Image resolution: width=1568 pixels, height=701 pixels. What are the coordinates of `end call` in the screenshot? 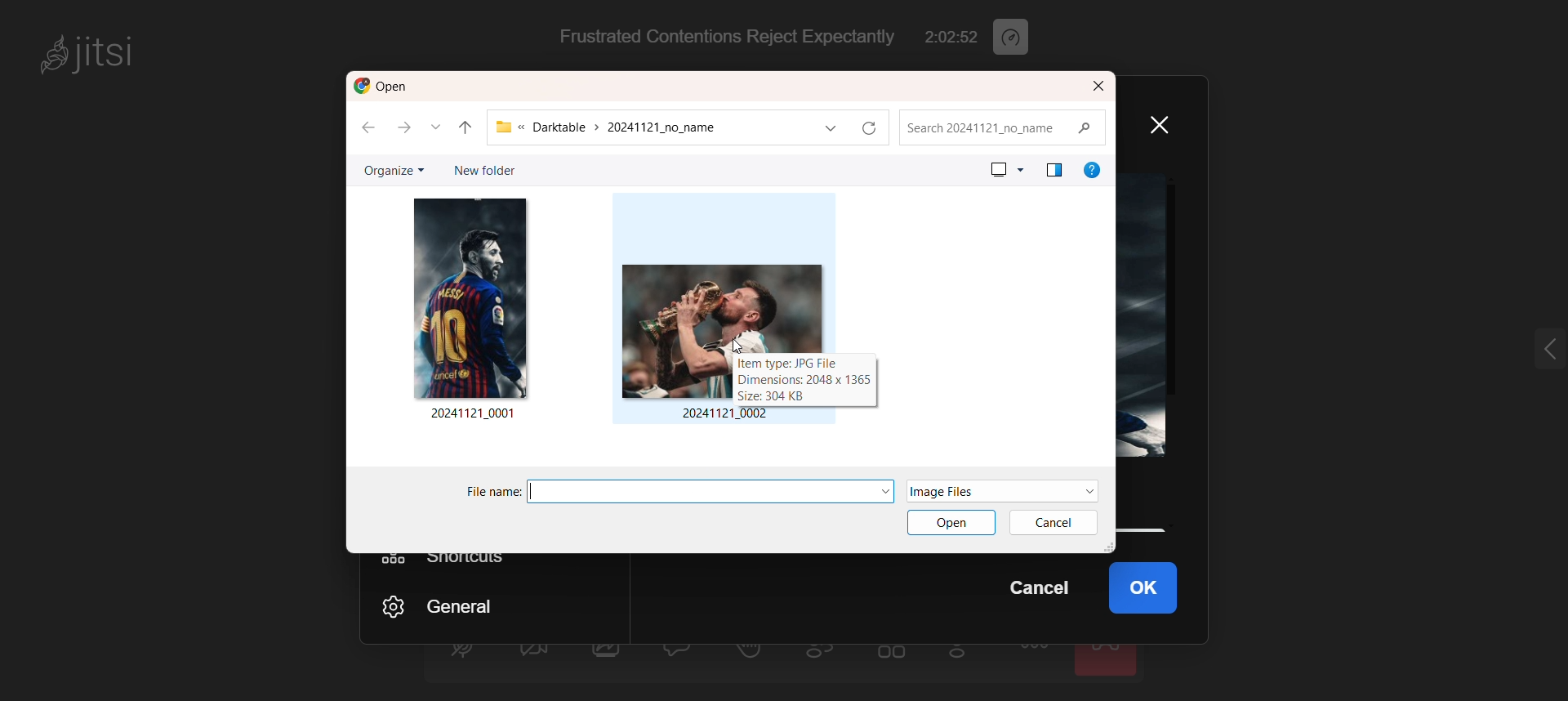 It's located at (1108, 659).